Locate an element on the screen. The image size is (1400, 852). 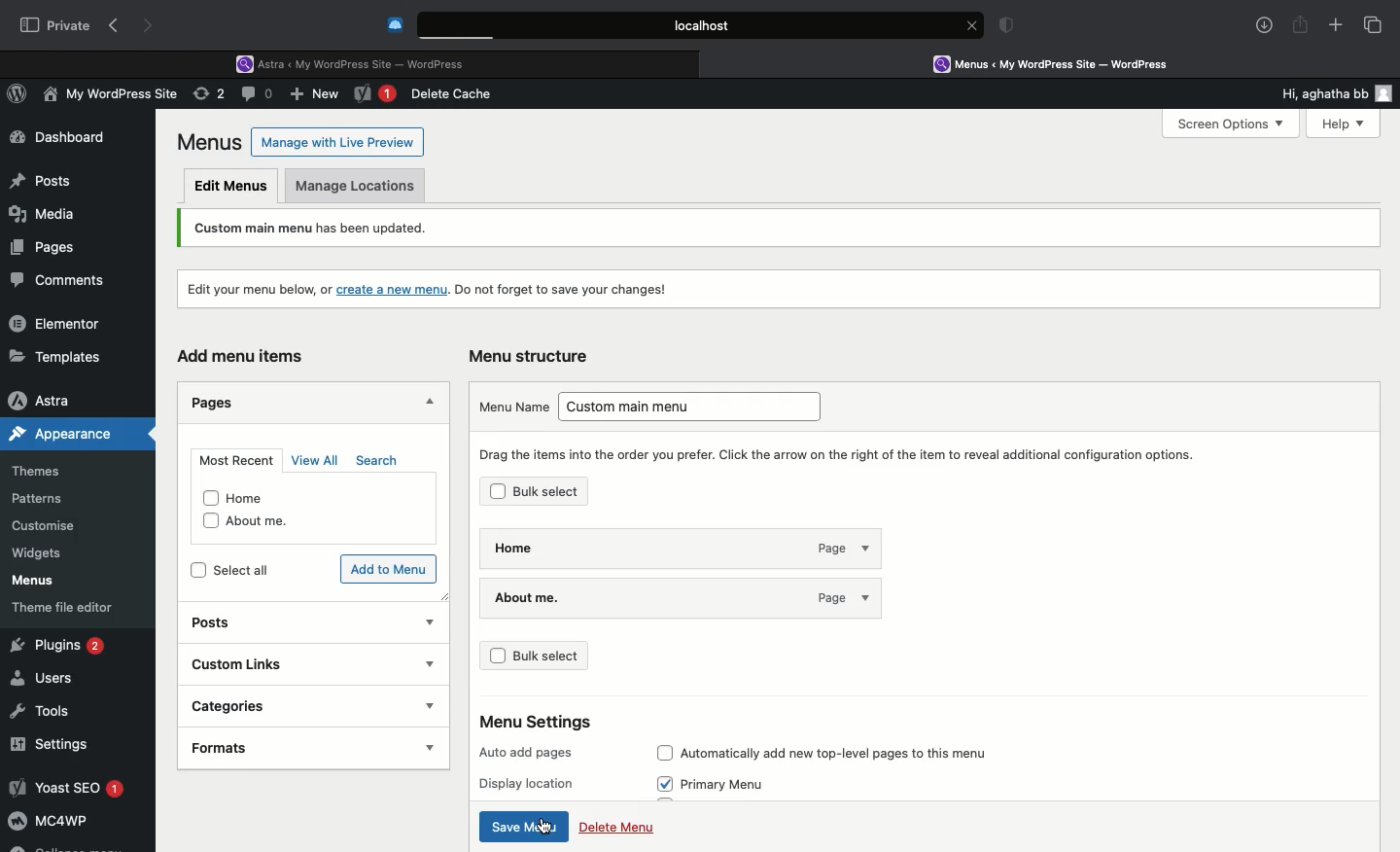
New is located at coordinates (375, 95).